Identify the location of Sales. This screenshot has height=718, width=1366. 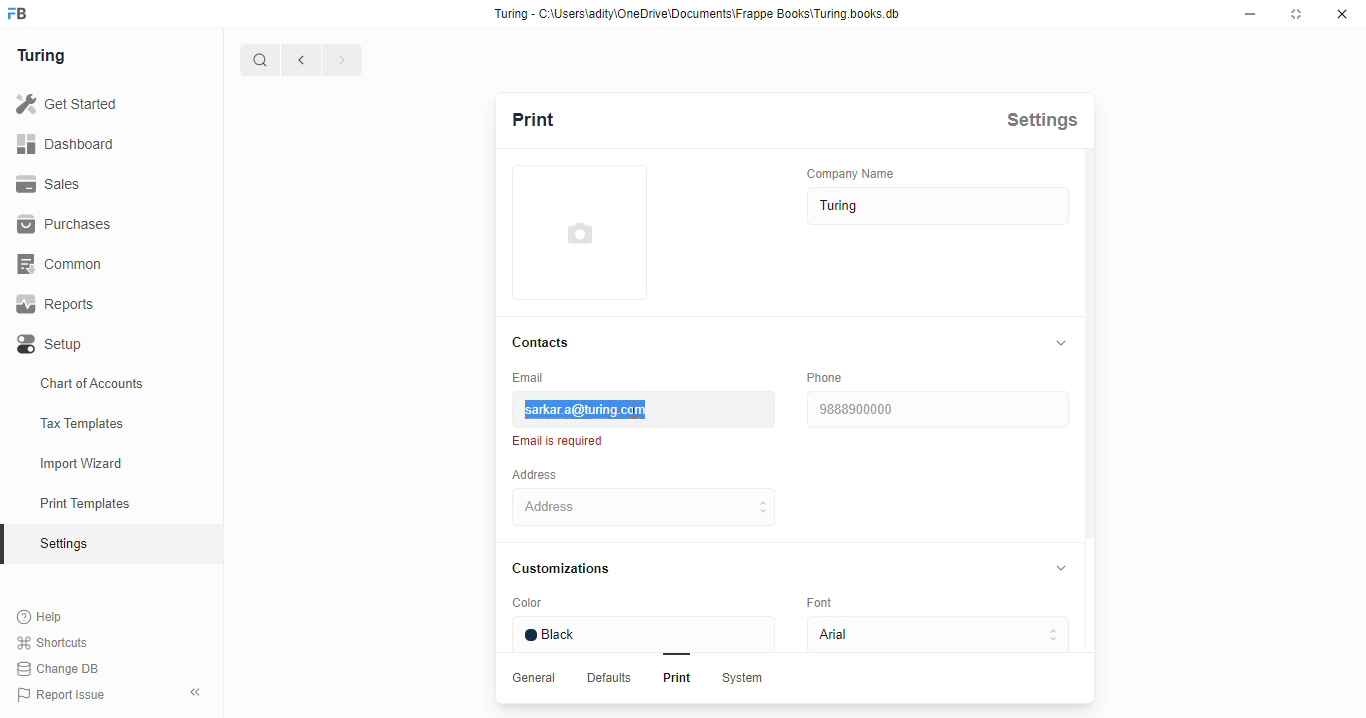
(58, 184).